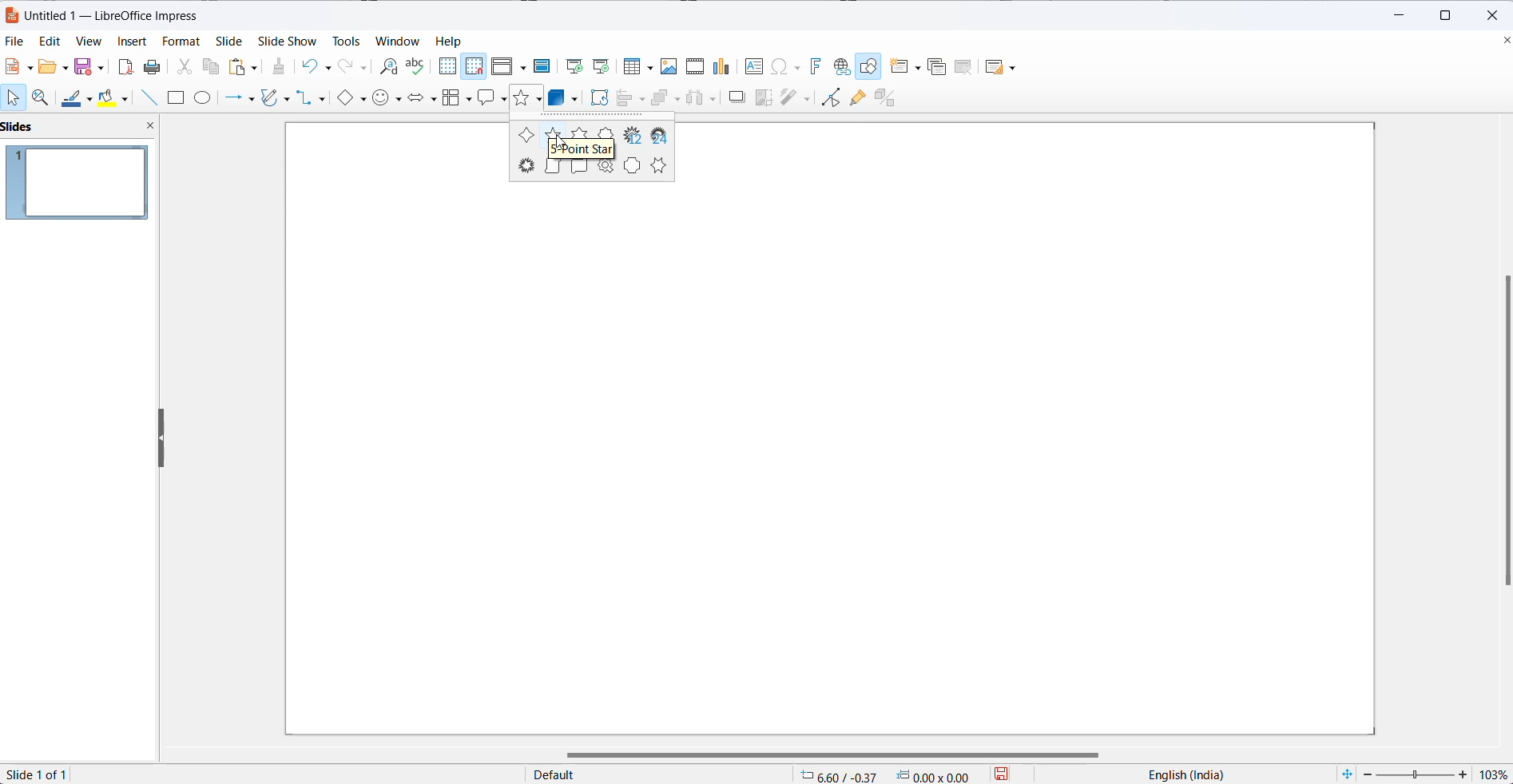 This screenshot has height=784, width=1513. I want to click on close document, so click(1503, 42).